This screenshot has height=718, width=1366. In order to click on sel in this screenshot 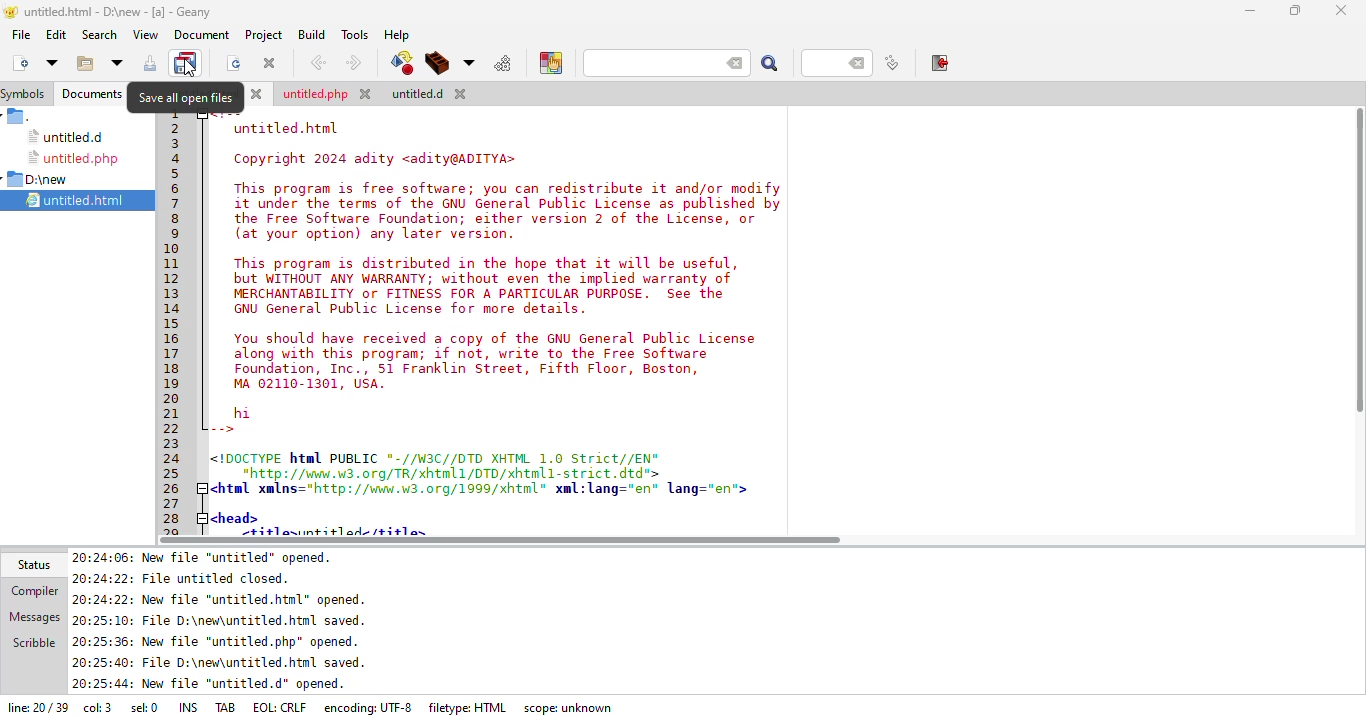, I will do `click(148, 707)`.